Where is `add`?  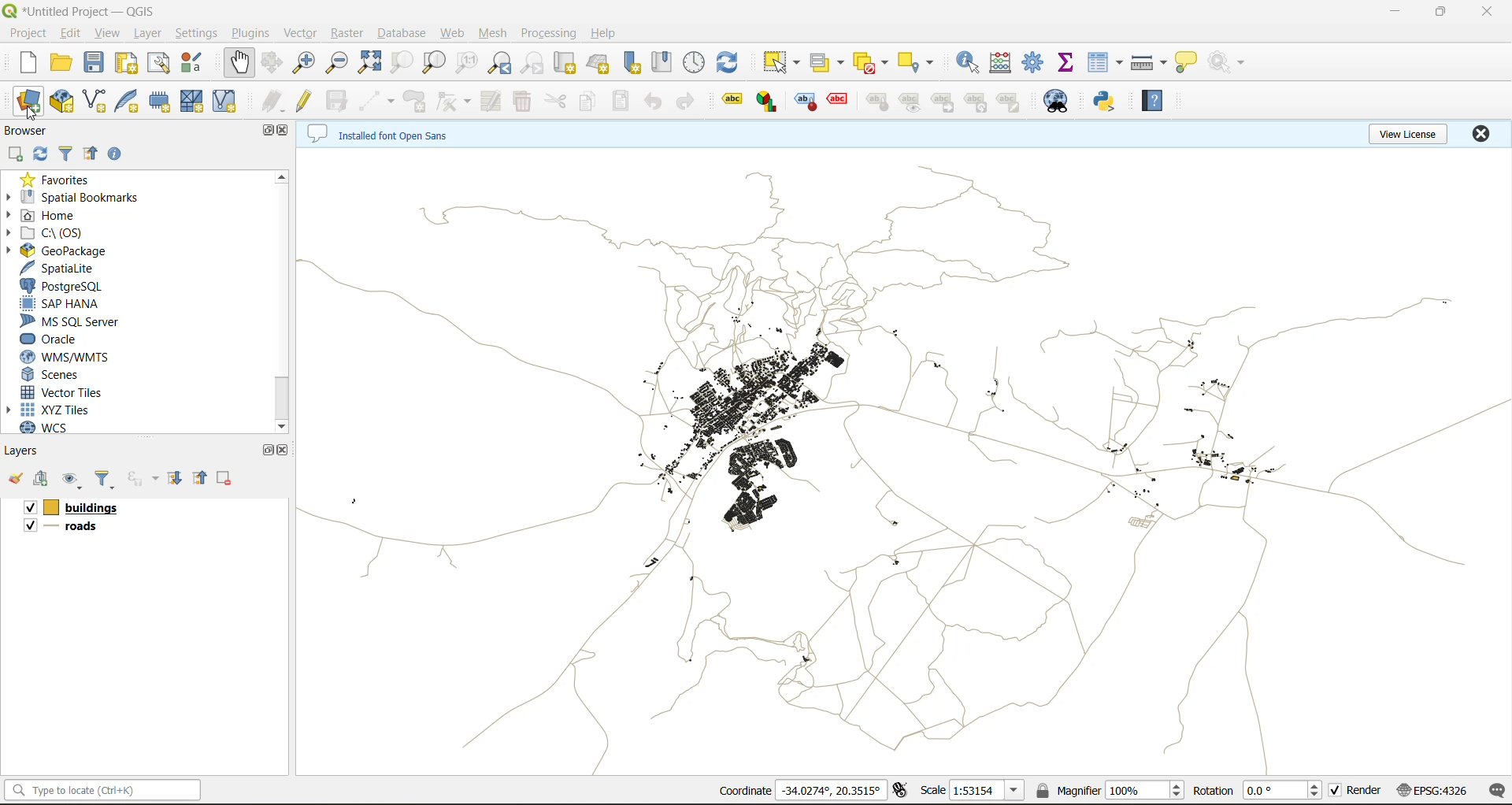
add is located at coordinates (43, 480).